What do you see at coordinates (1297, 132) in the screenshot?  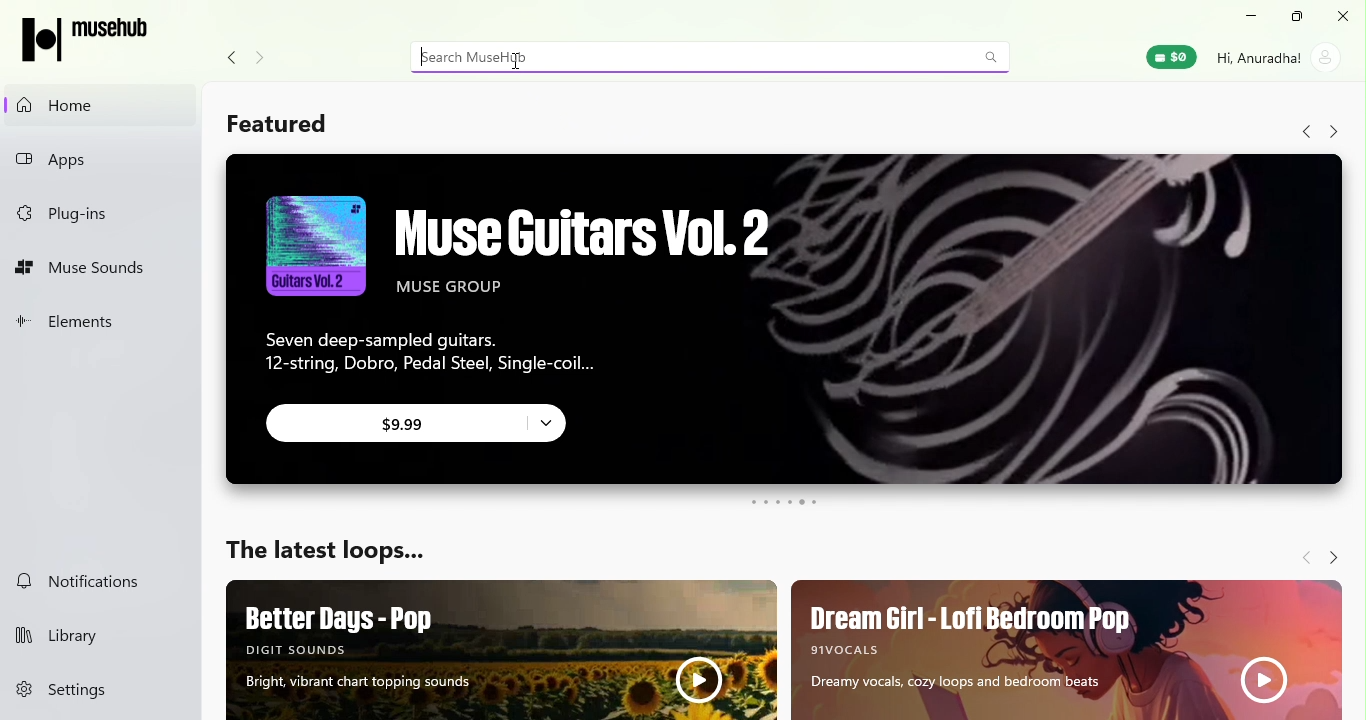 I see `Navigate back` at bounding box center [1297, 132].